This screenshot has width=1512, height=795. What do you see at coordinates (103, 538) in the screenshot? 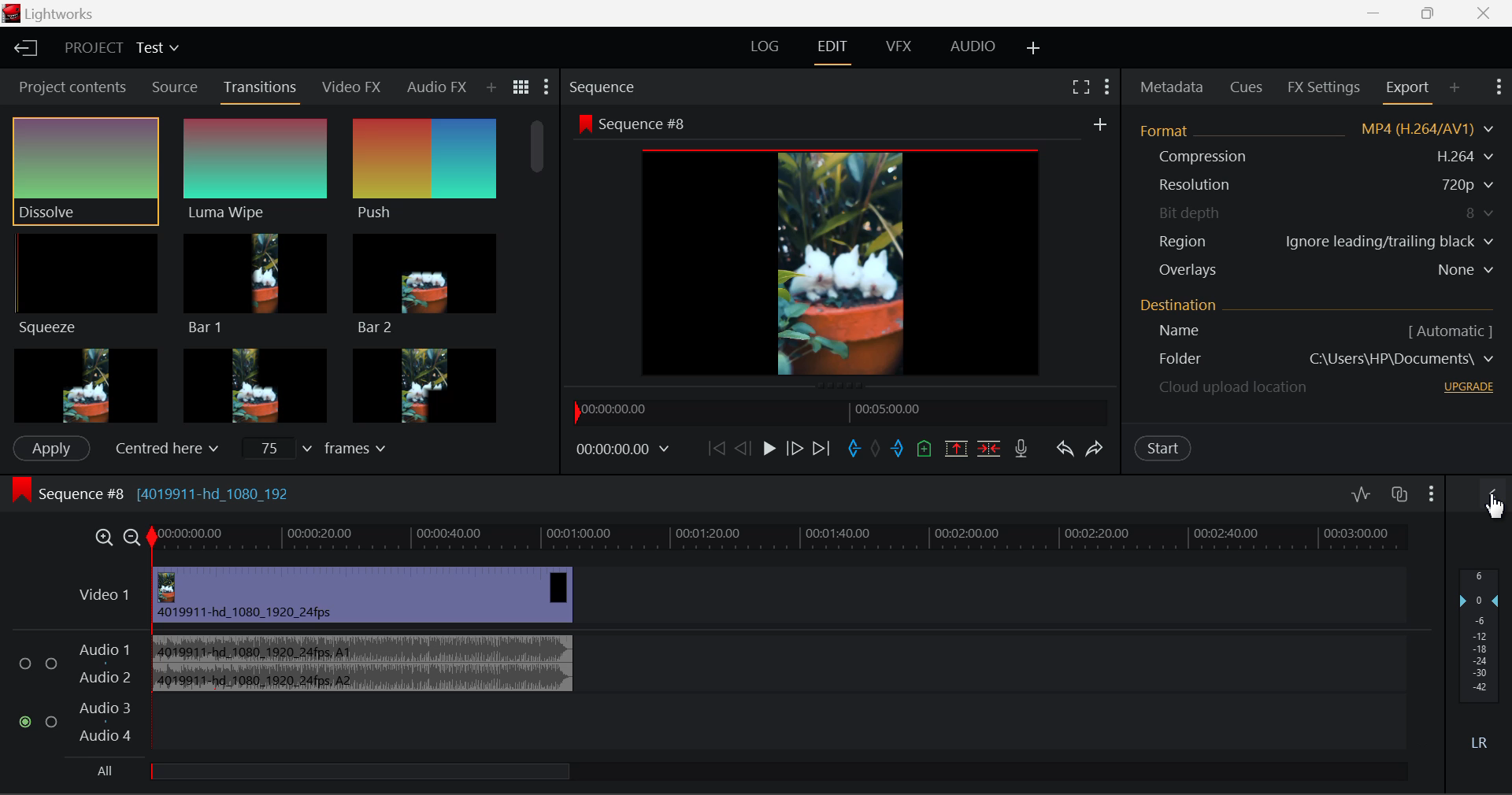
I see `Timeline Zoom In` at bounding box center [103, 538].